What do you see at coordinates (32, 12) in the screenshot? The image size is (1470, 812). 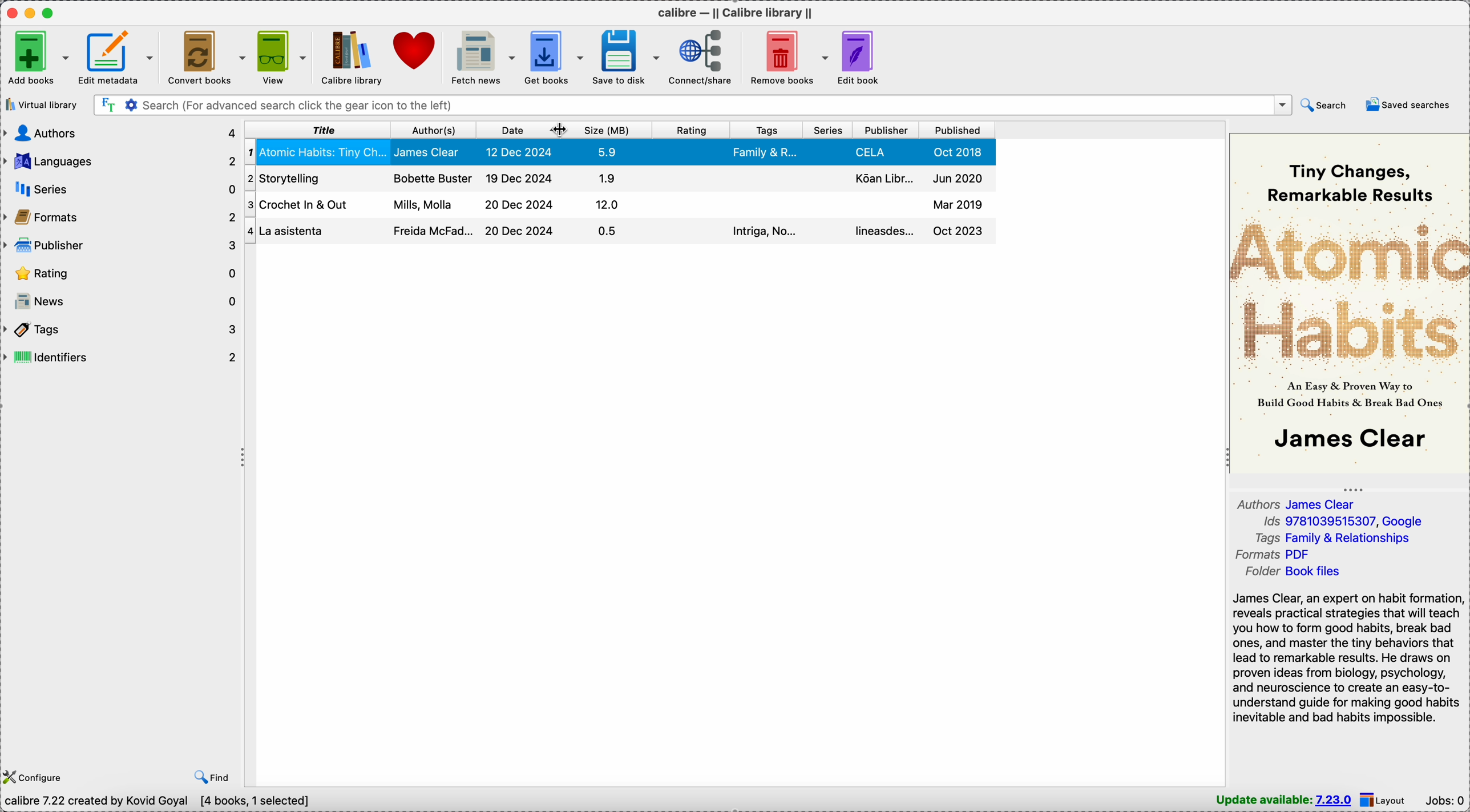 I see `minimize program` at bounding box center [32, 12].